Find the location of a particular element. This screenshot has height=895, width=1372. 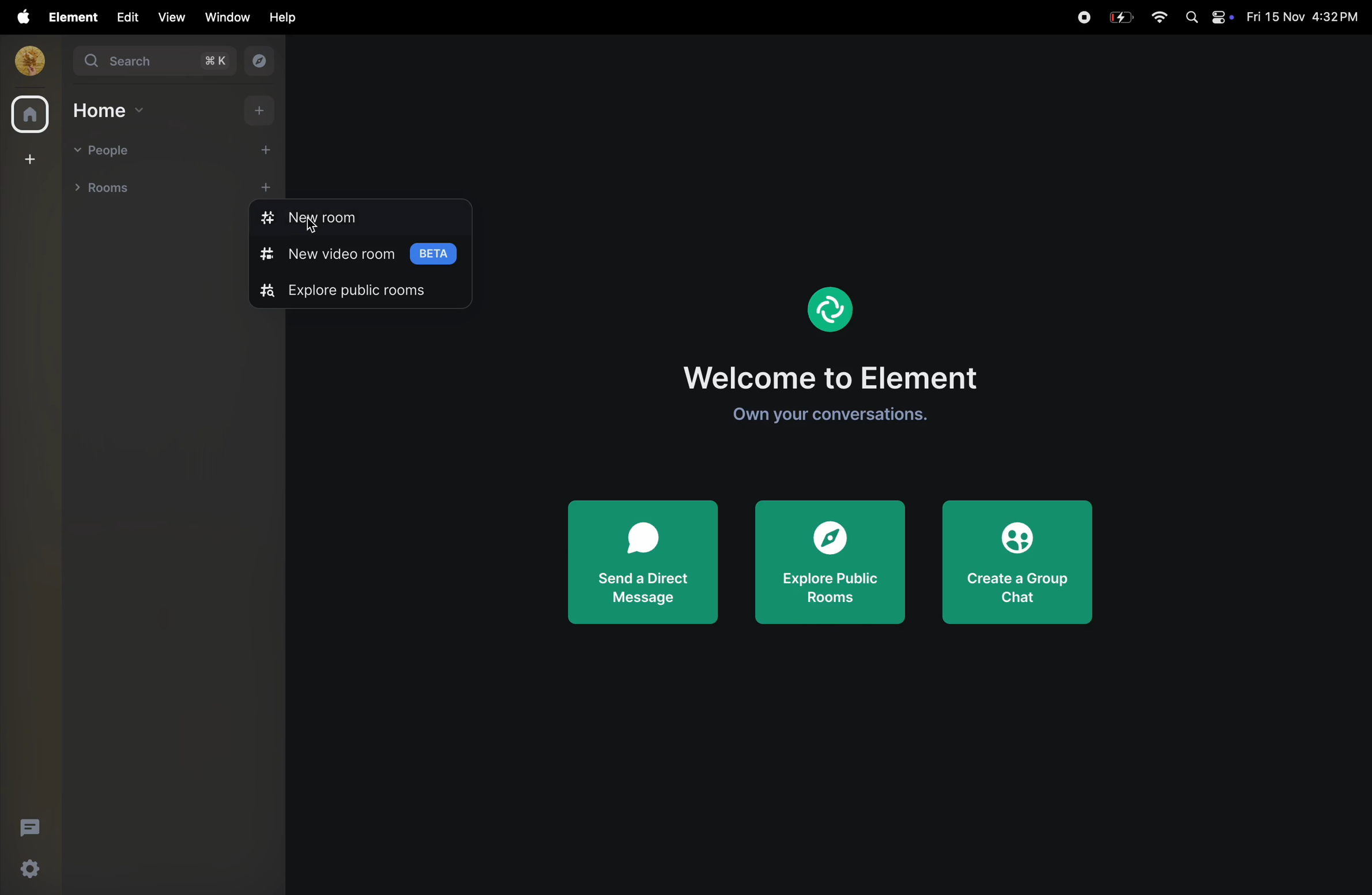

welcome to element  is located at coordinates (842, 373).